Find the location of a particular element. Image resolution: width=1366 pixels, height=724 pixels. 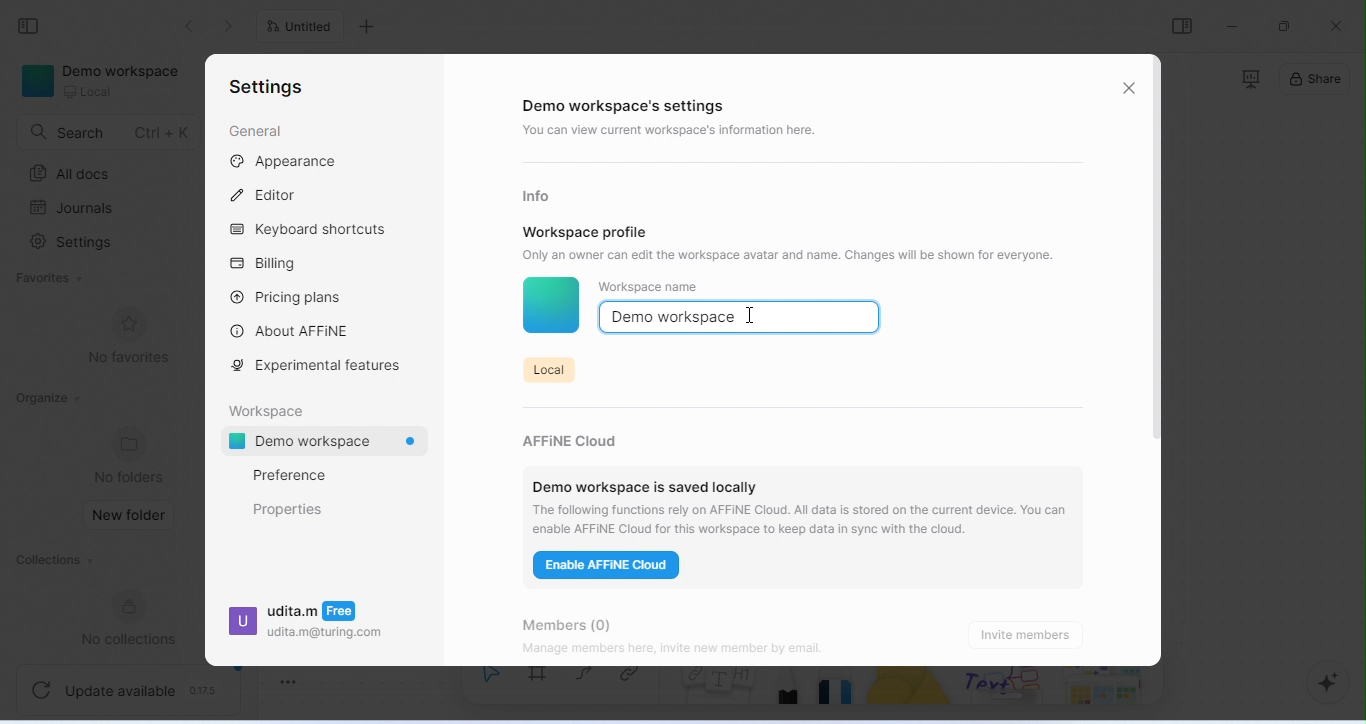

untitled is located at coordinates (304, 28).